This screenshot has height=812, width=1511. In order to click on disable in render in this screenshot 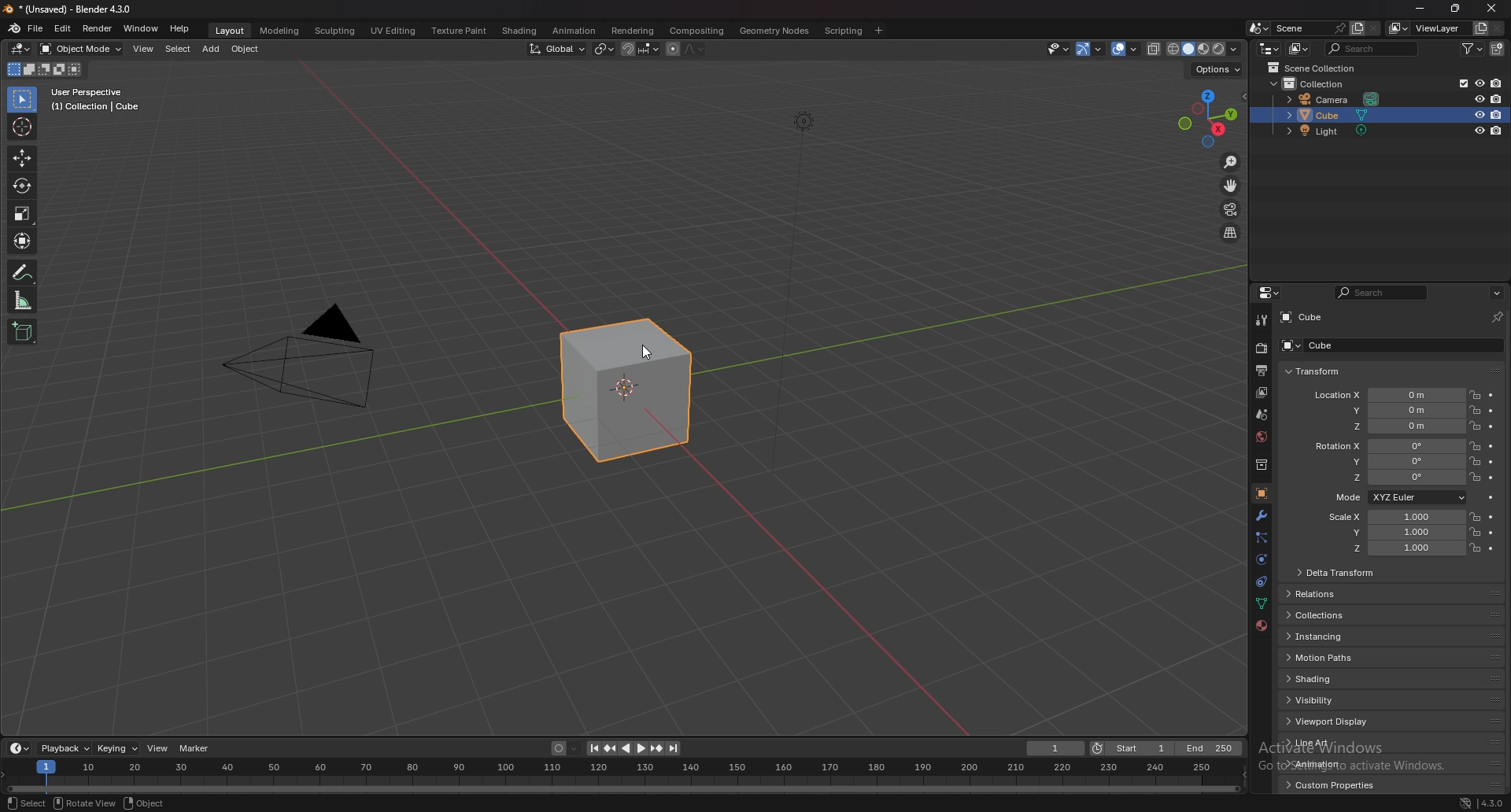, I will do `click(1498, 131)`.